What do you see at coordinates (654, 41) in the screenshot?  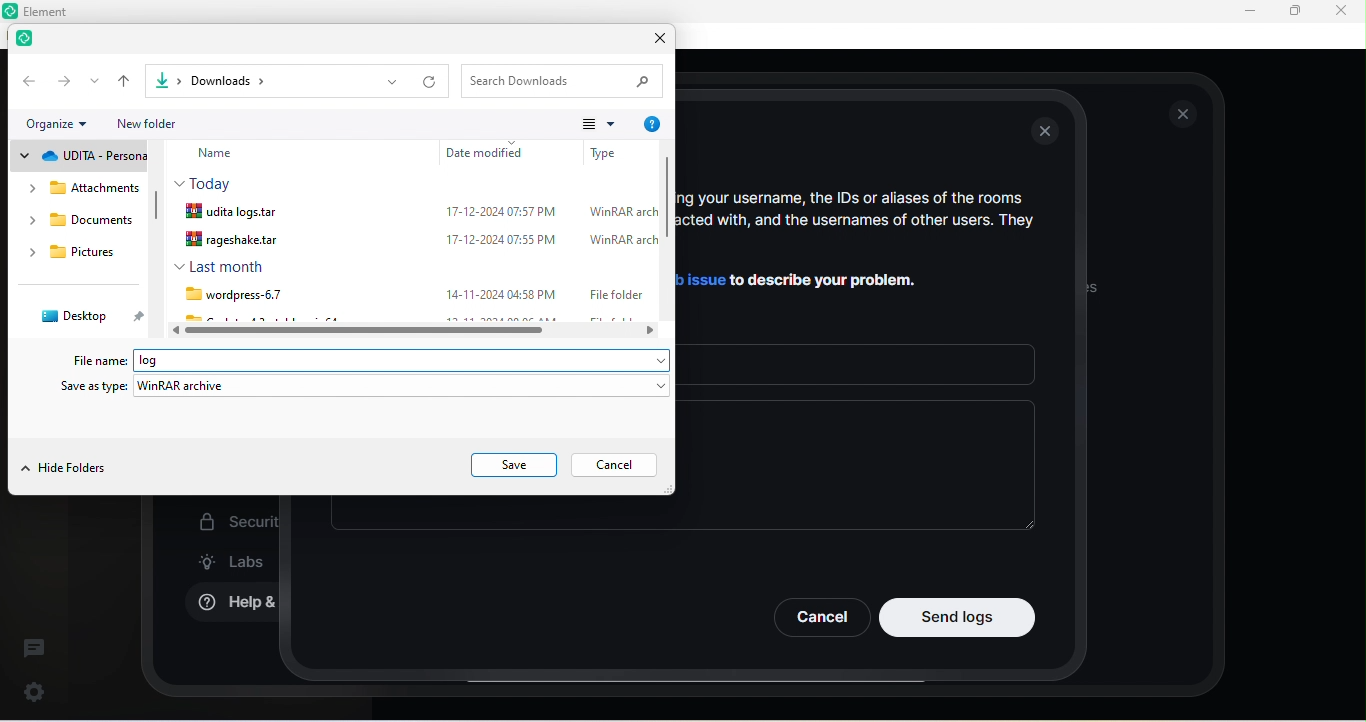 I see `close` at bounding box center [654, 41].